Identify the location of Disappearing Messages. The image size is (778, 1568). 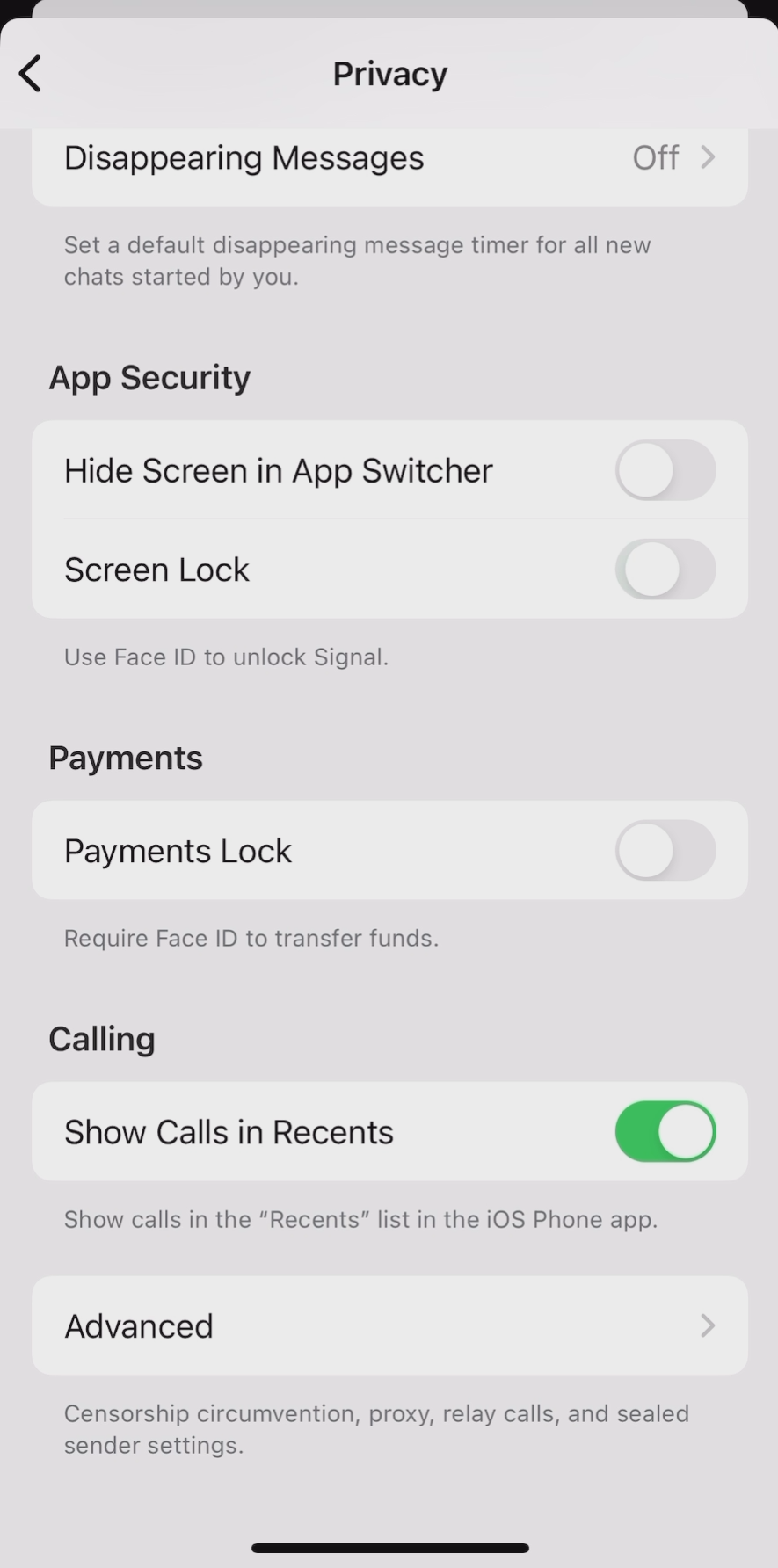
(403, 156).